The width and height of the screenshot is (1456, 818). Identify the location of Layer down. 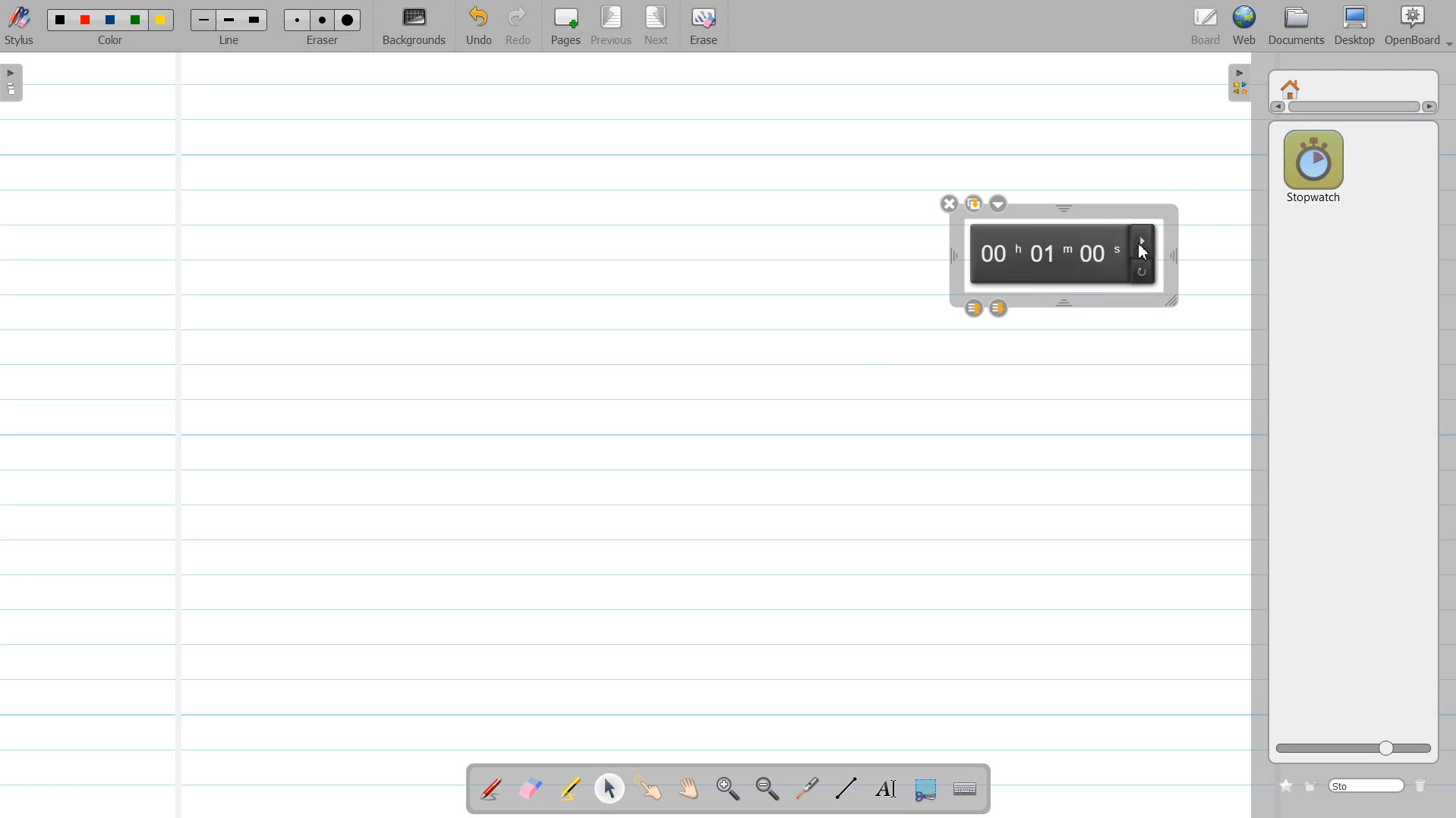
(1001, 307).